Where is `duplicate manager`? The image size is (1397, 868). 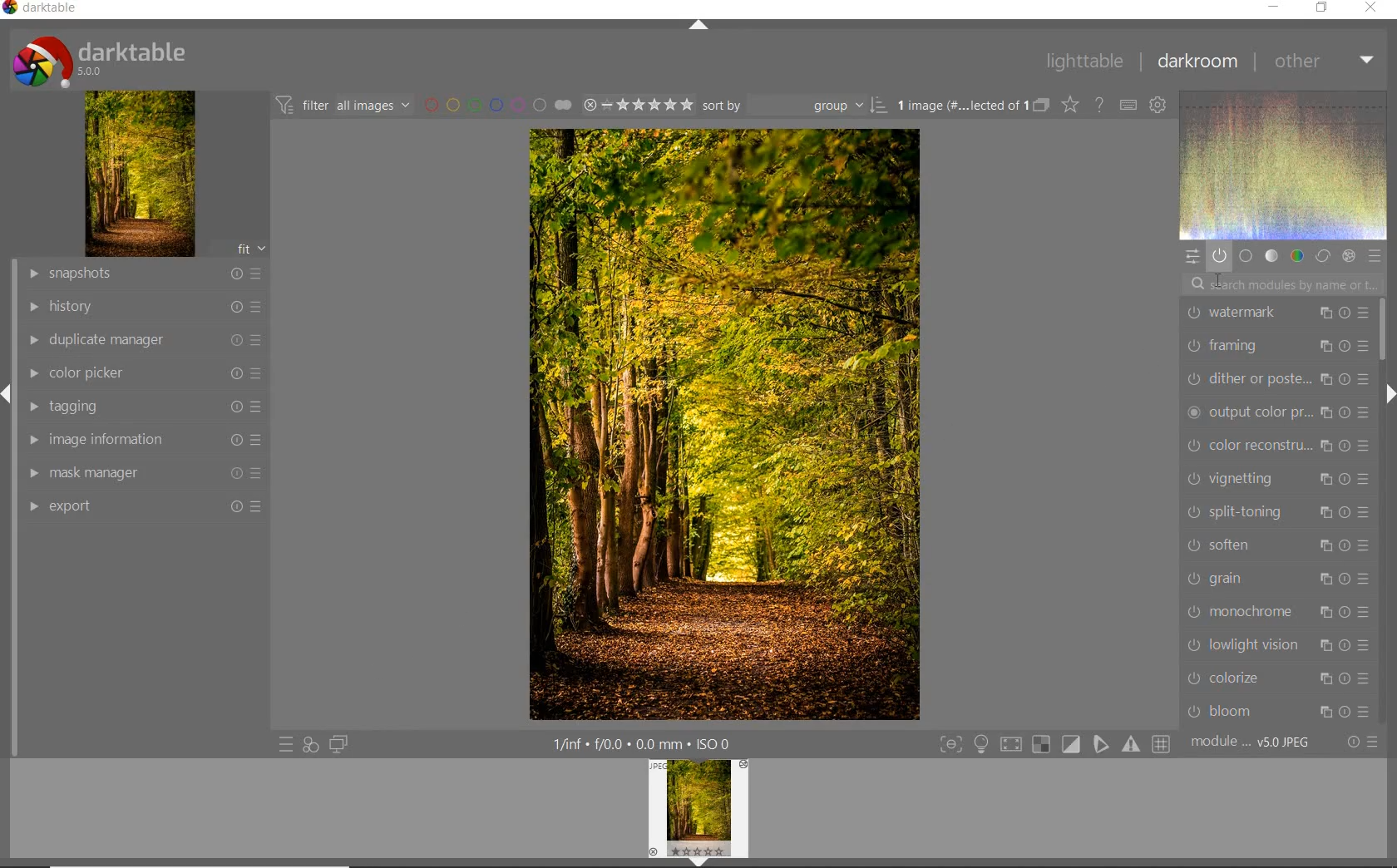 duplicate manager is located at coordinates (146, 340).